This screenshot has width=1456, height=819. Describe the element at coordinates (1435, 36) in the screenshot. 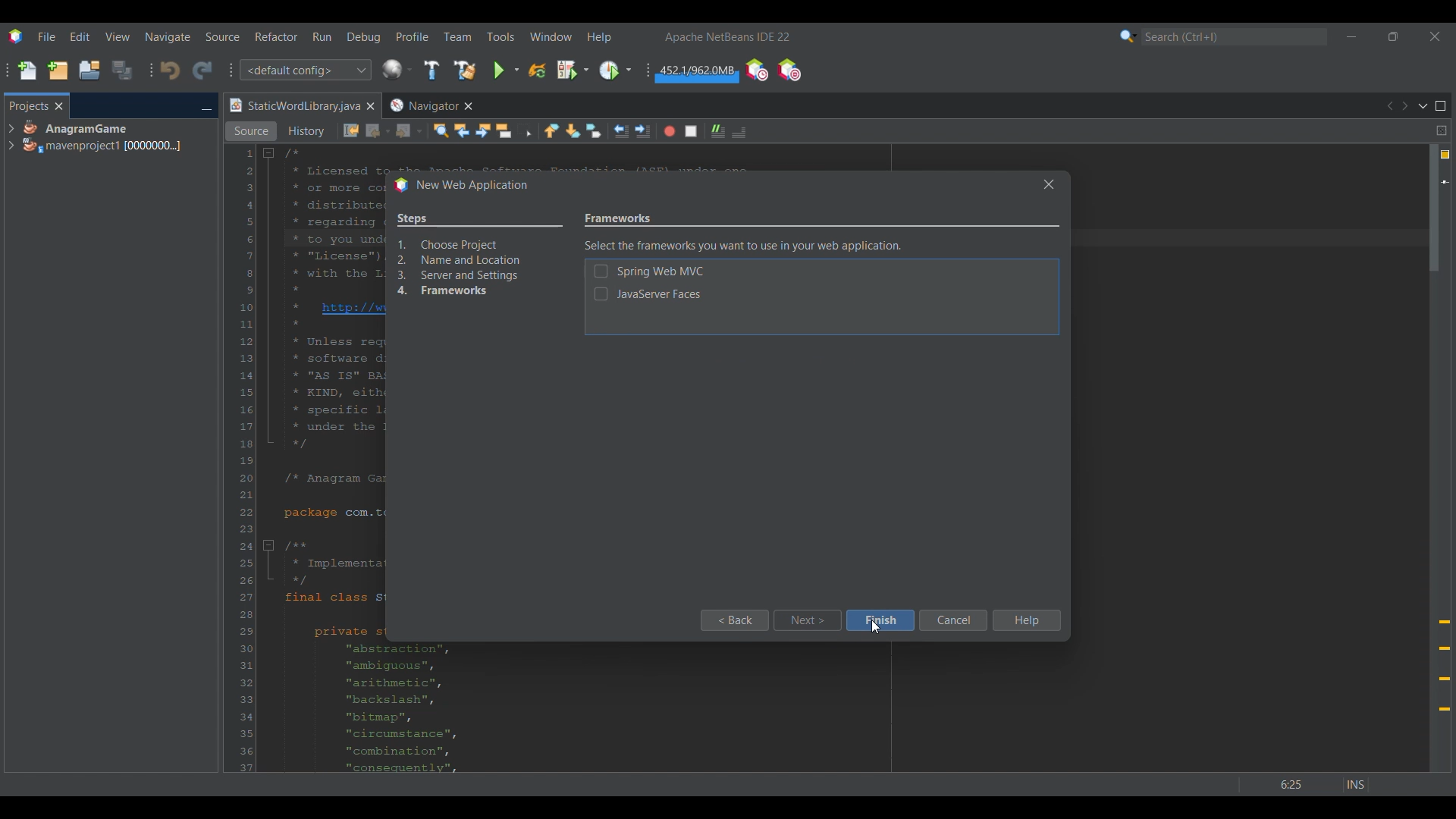

I see `Close interface` at that location.